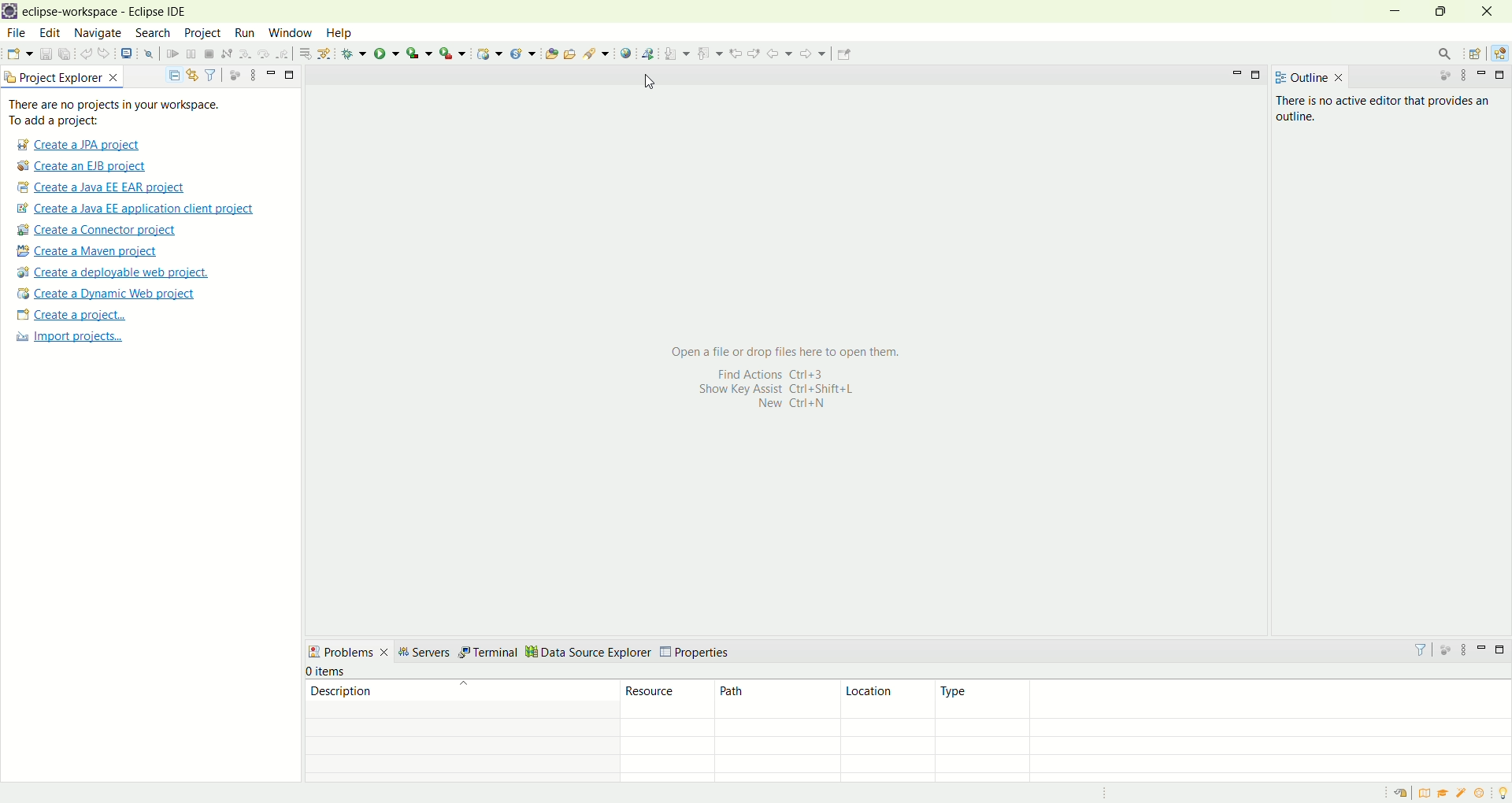 This screenshot has height=803, width=1512. Describe the element at coordinates (153, 34) in the screenshot. I see `search` at that location.